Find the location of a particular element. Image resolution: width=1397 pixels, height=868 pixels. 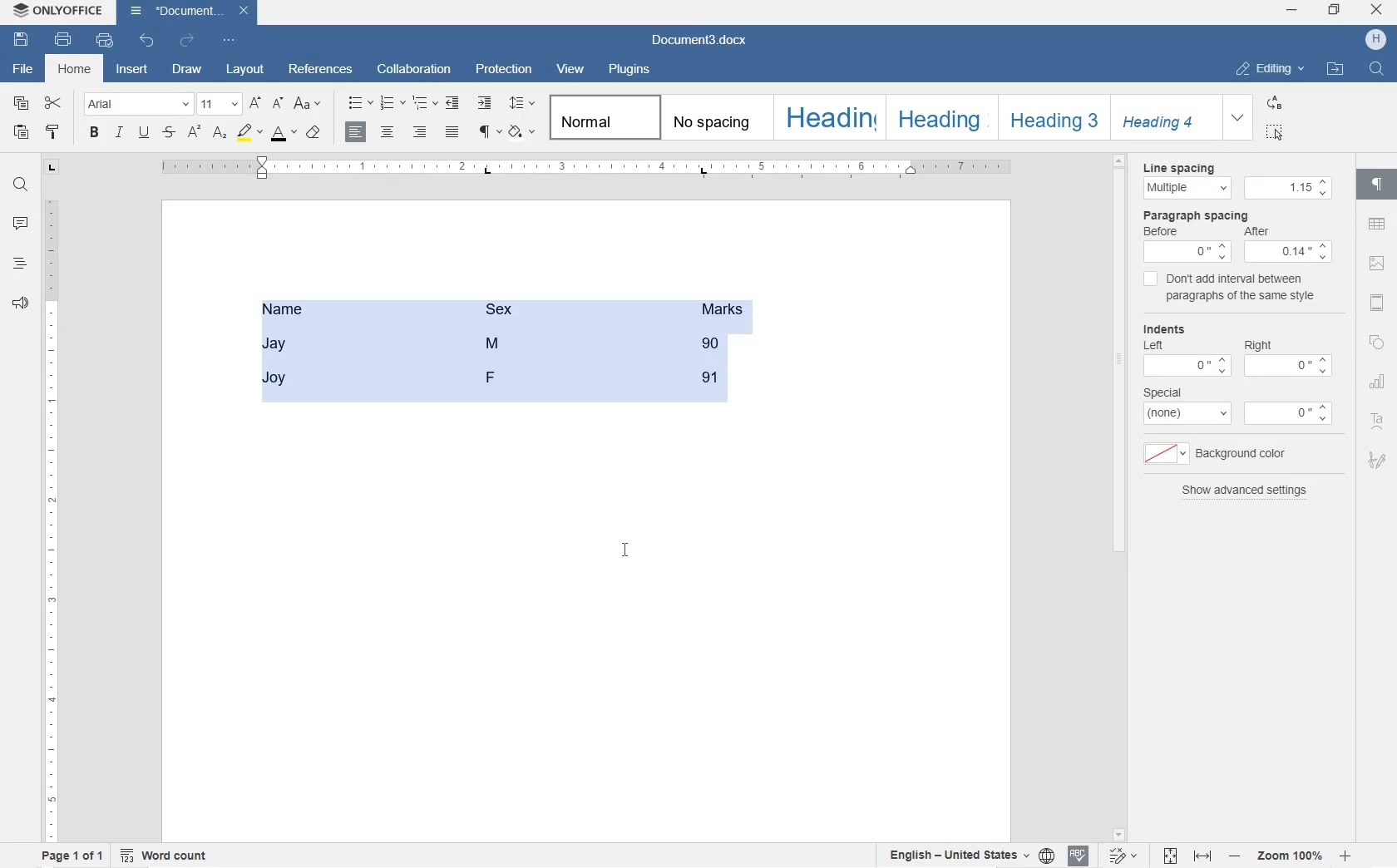

CHANGE CASE is located at coordinates (309, 103).